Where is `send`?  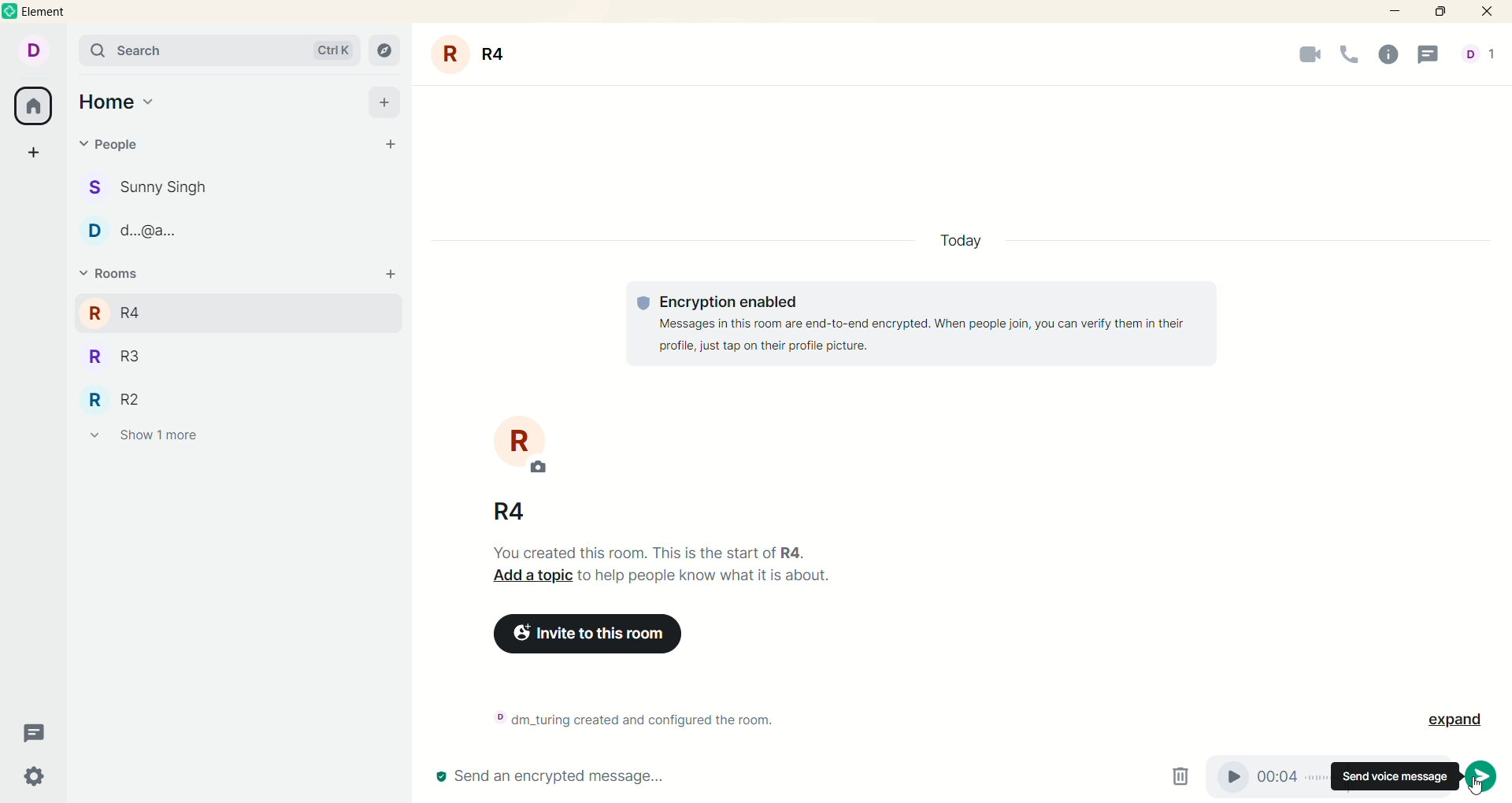 send is located at coordinates (1482, 774).